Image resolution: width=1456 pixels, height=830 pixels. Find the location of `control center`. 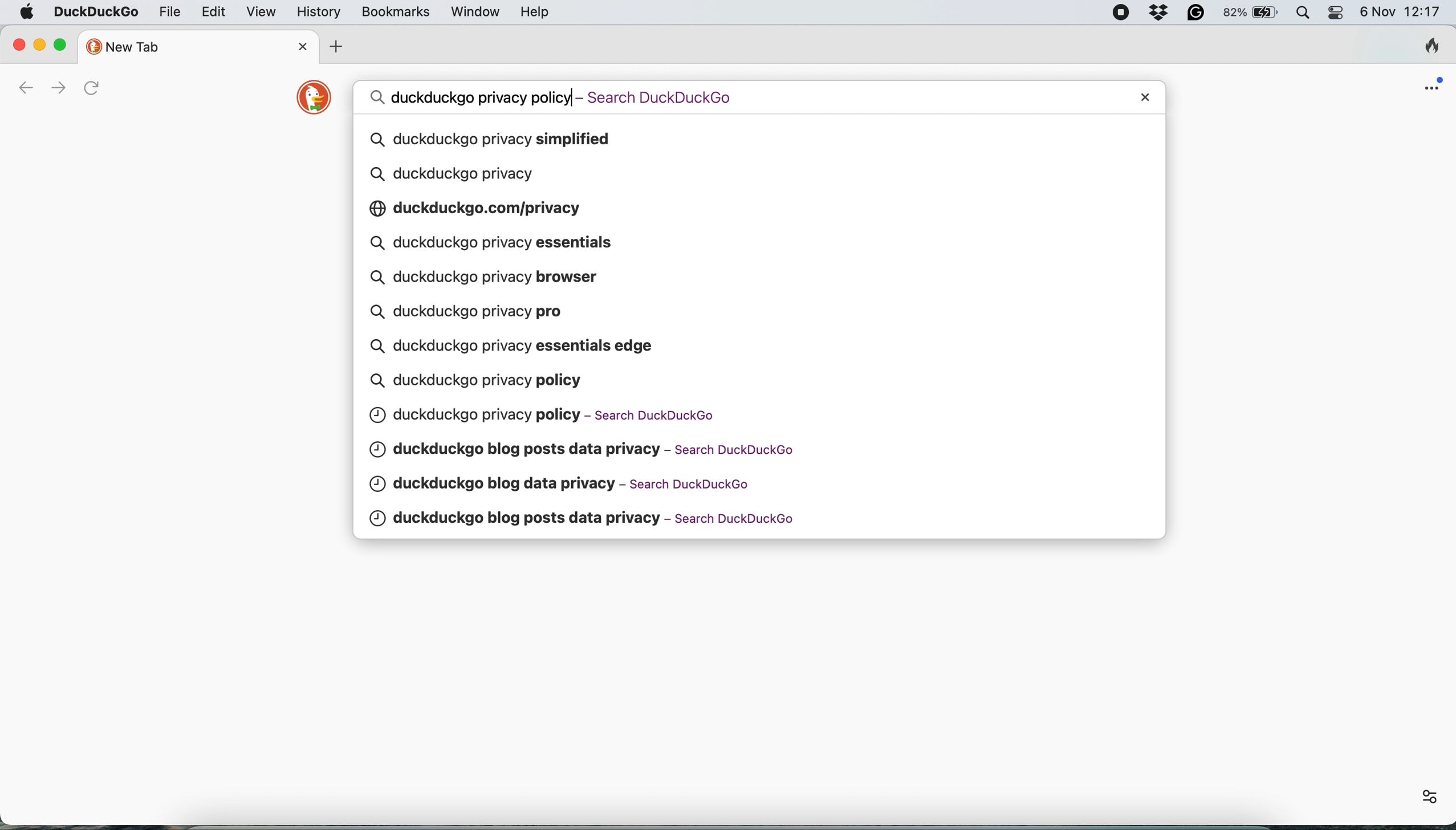

control center is located at coordinates (1335, 14).